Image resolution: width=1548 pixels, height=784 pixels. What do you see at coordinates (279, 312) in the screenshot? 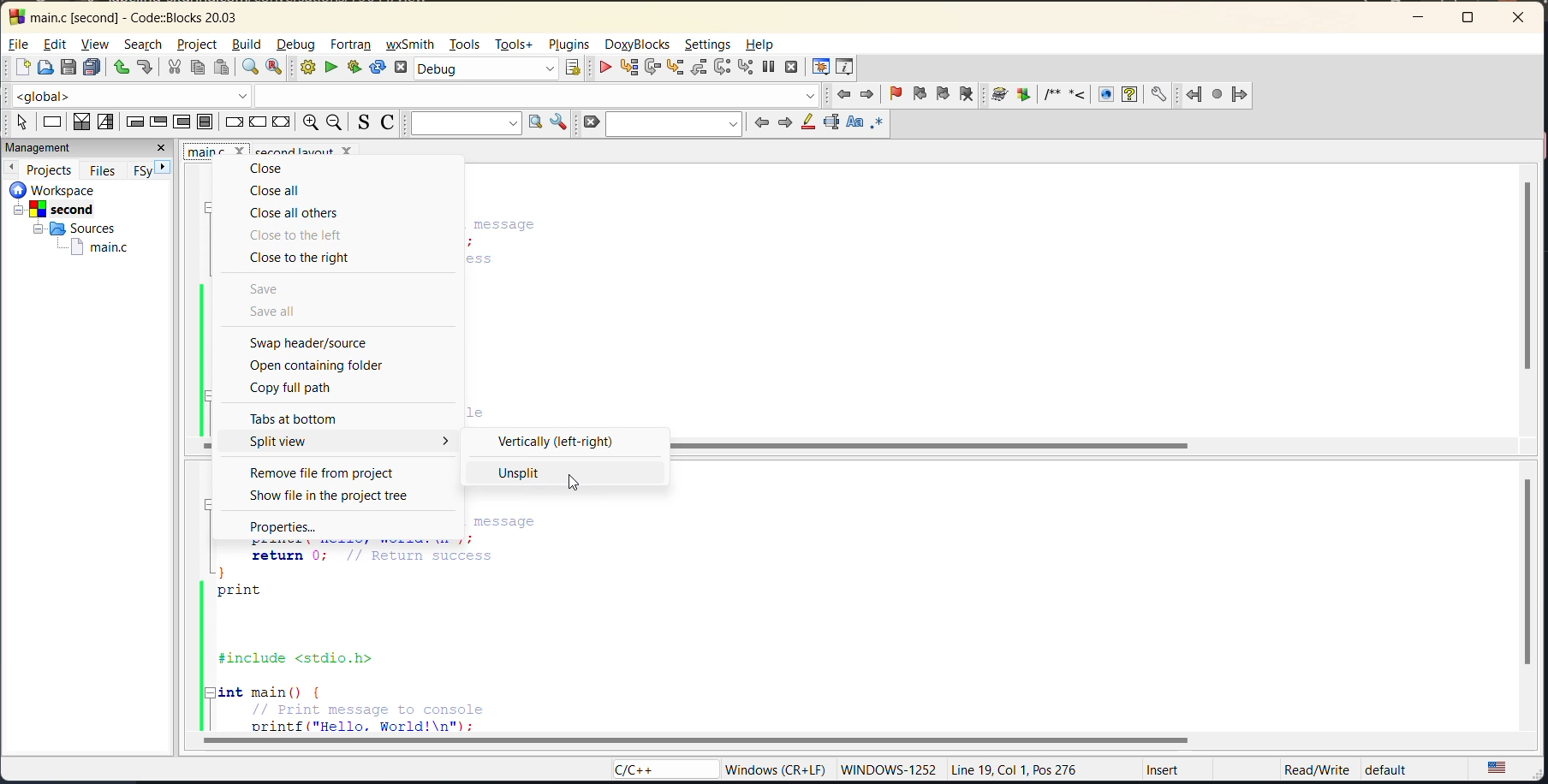
I see `save all` at bounding box center [279, 312].